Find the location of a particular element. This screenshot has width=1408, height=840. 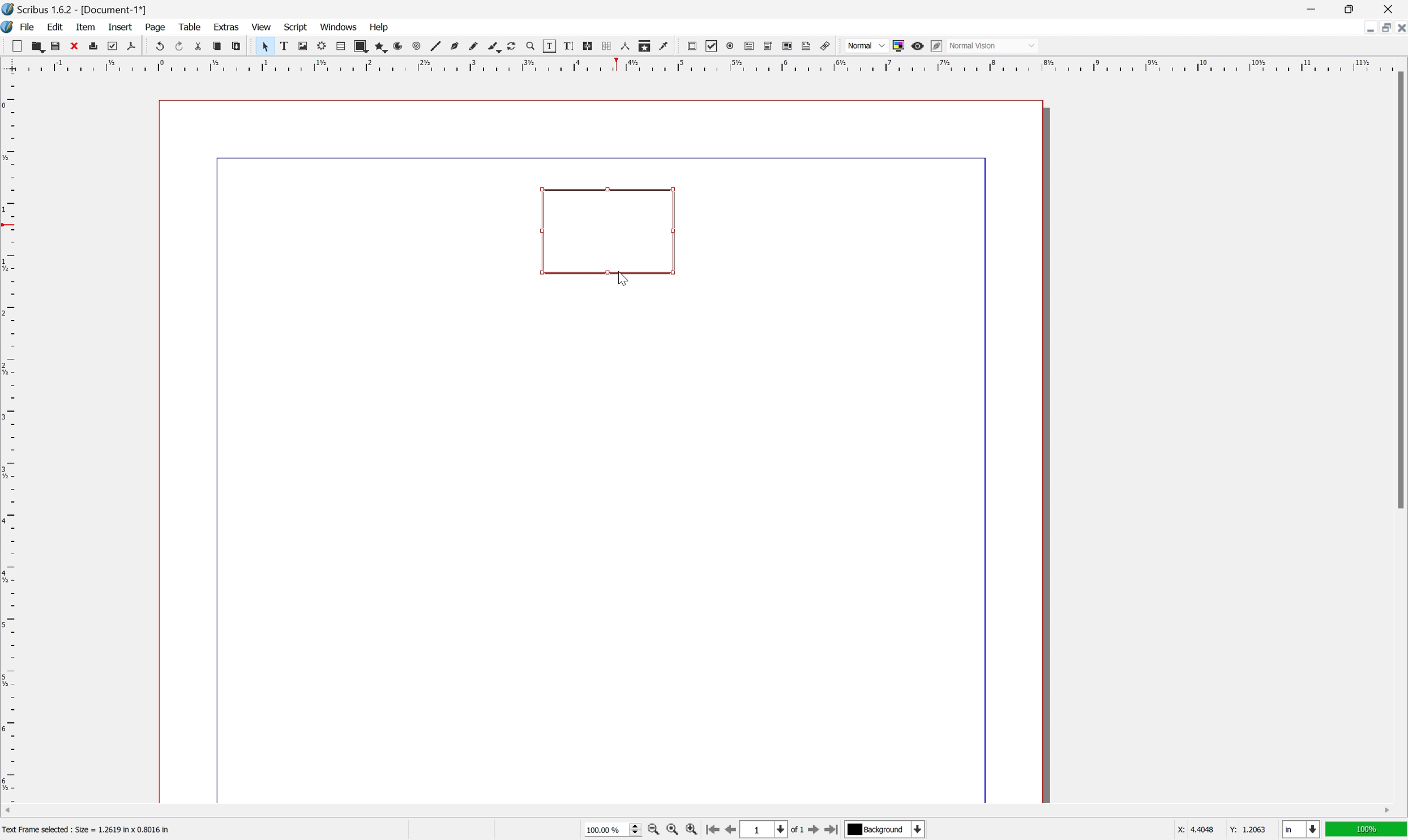

select current unit is located at coordinates (1301, 830).